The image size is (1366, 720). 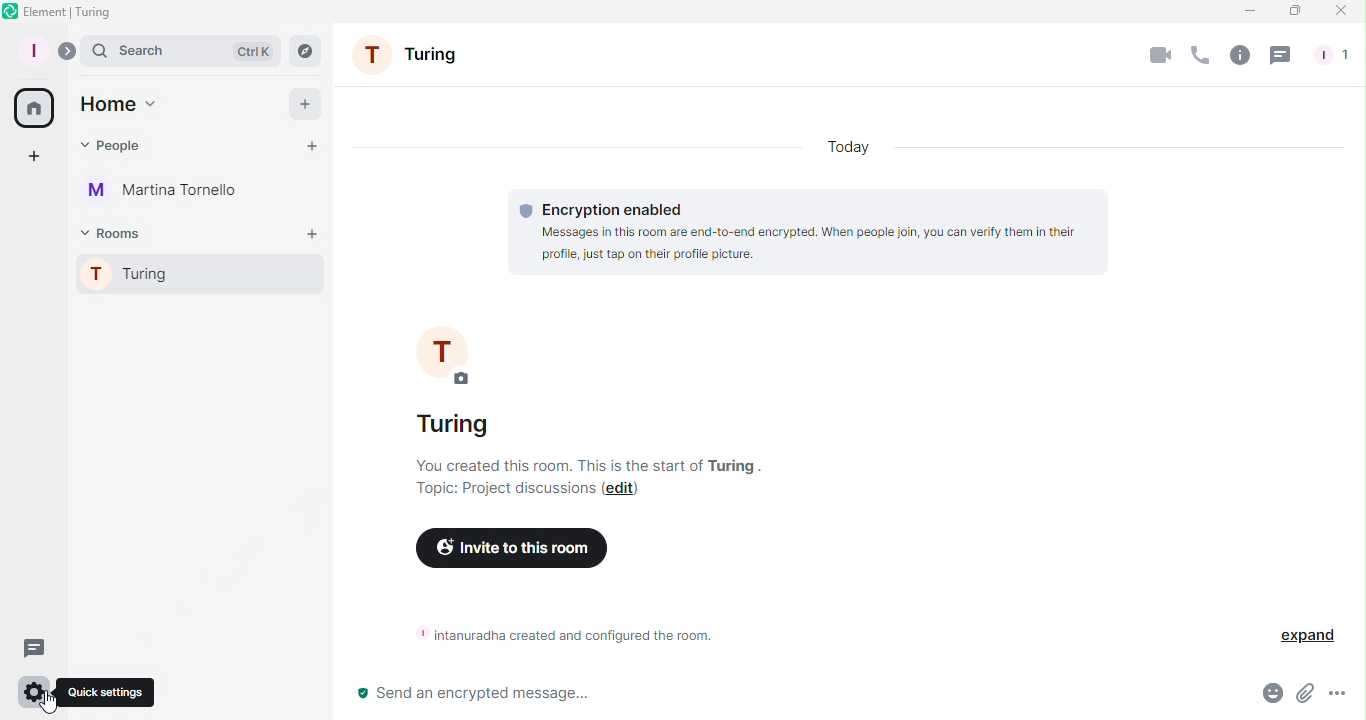 I want to click on Add, so click(x=303, y=101).